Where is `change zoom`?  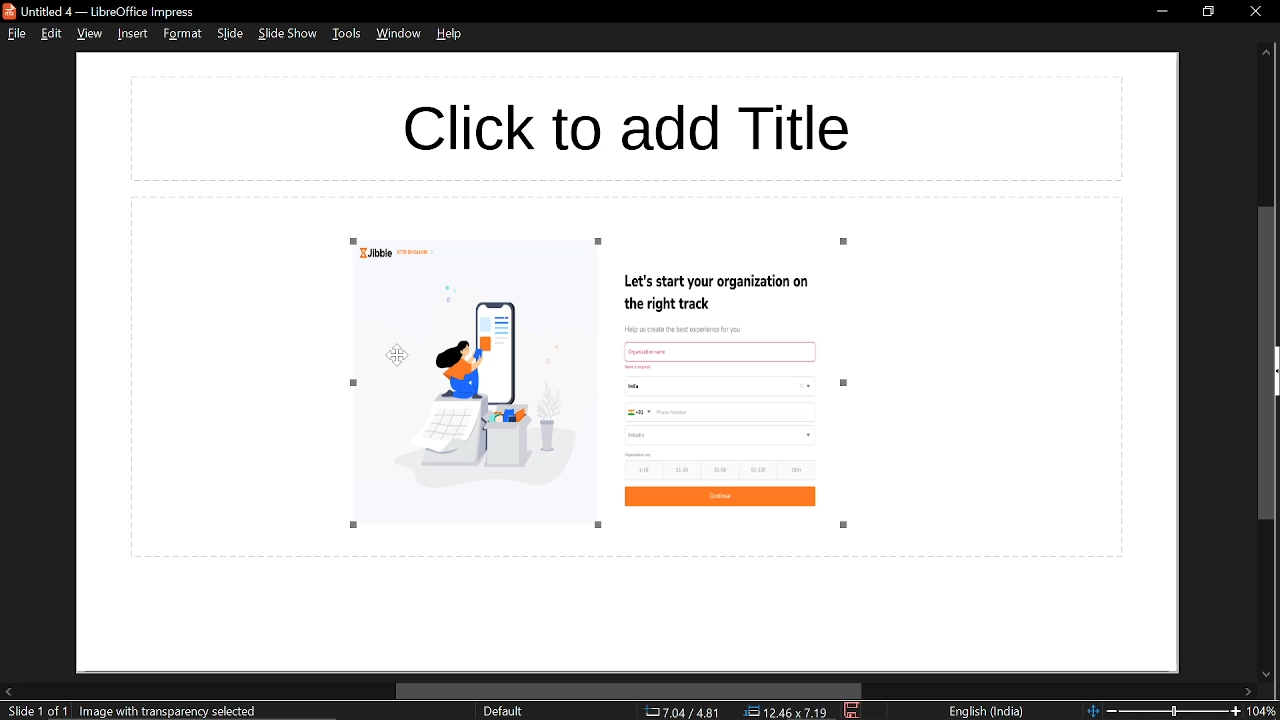 change zoom is located at coordinates (1162, 712).